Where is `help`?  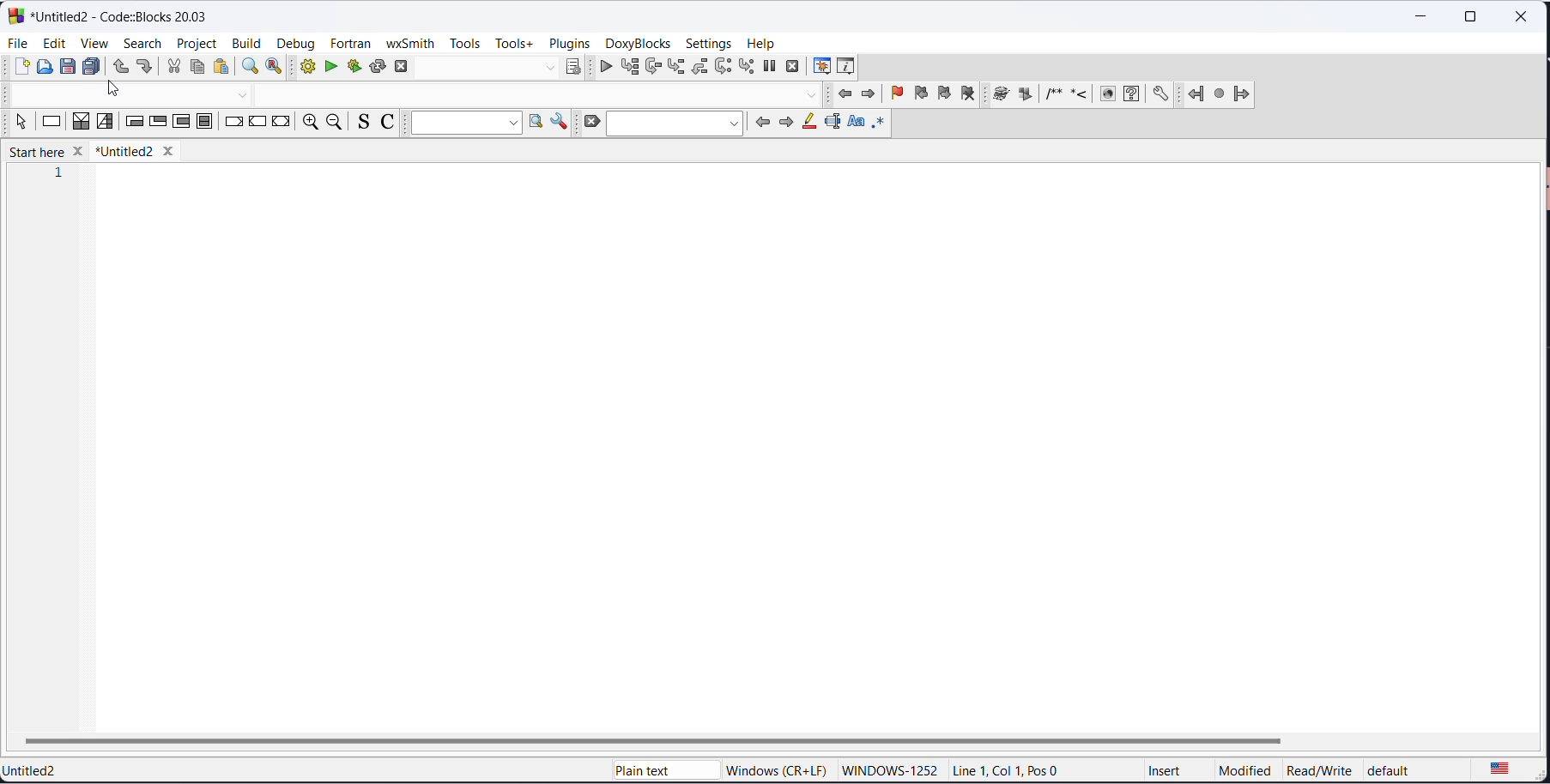
help is located at coordinates (763, 43).